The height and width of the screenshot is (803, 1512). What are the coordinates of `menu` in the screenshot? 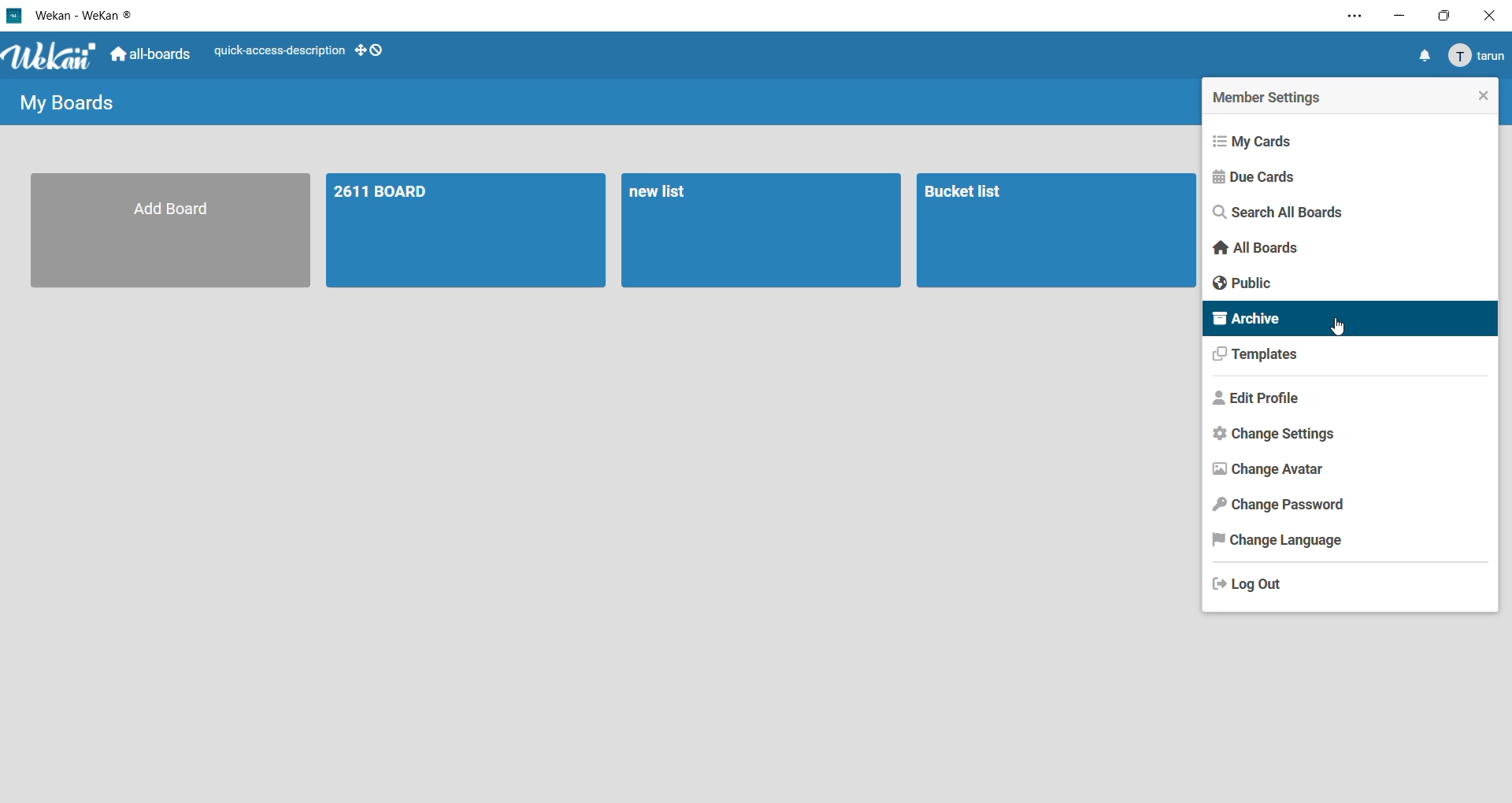 It's located at (1476, 55).